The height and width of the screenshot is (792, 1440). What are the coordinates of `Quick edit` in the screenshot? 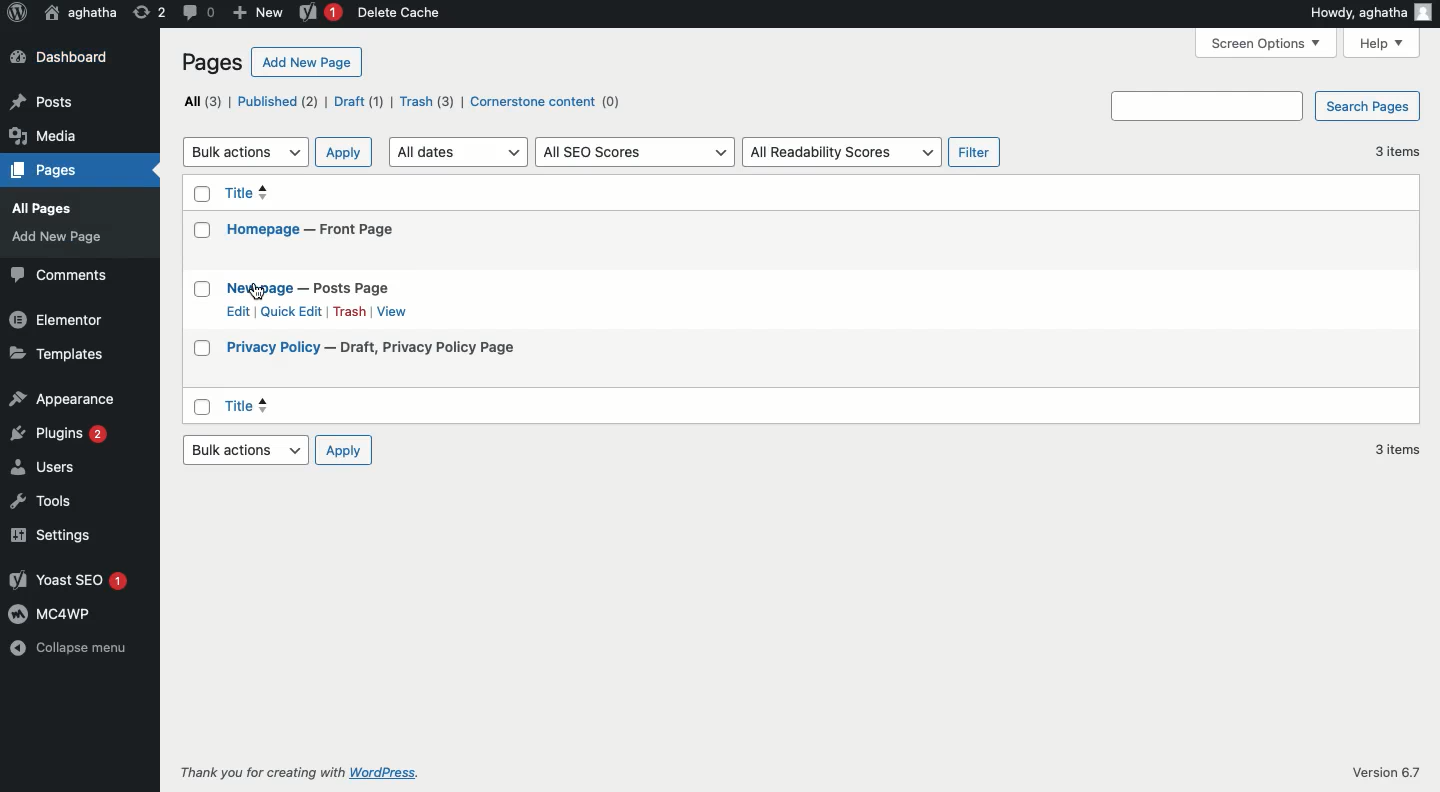 It's located at (291, 311).